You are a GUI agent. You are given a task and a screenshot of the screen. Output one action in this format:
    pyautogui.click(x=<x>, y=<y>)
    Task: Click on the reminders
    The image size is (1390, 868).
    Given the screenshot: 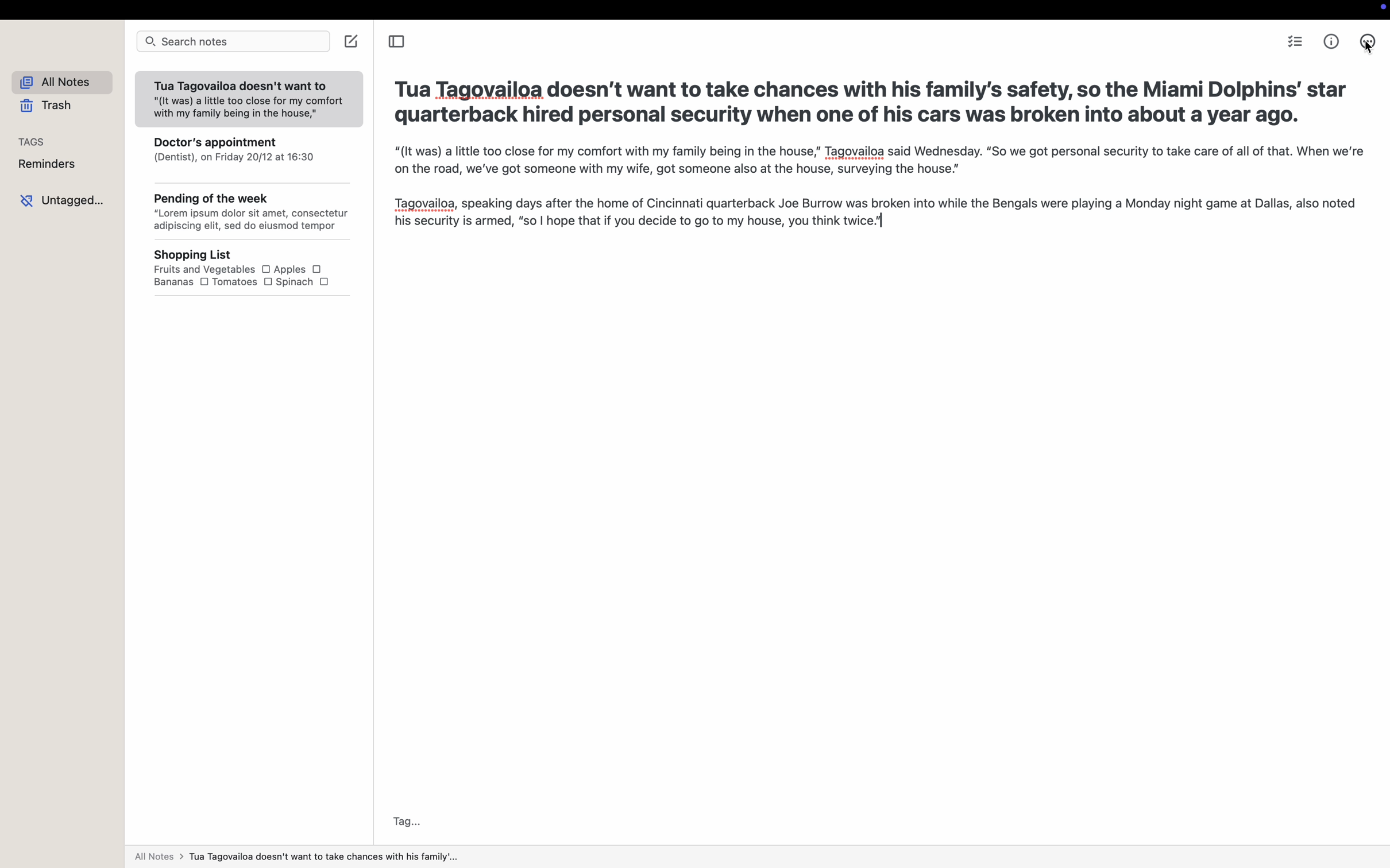 What is the action you would take?
    pyautogui.click(x=51, y=165)
    